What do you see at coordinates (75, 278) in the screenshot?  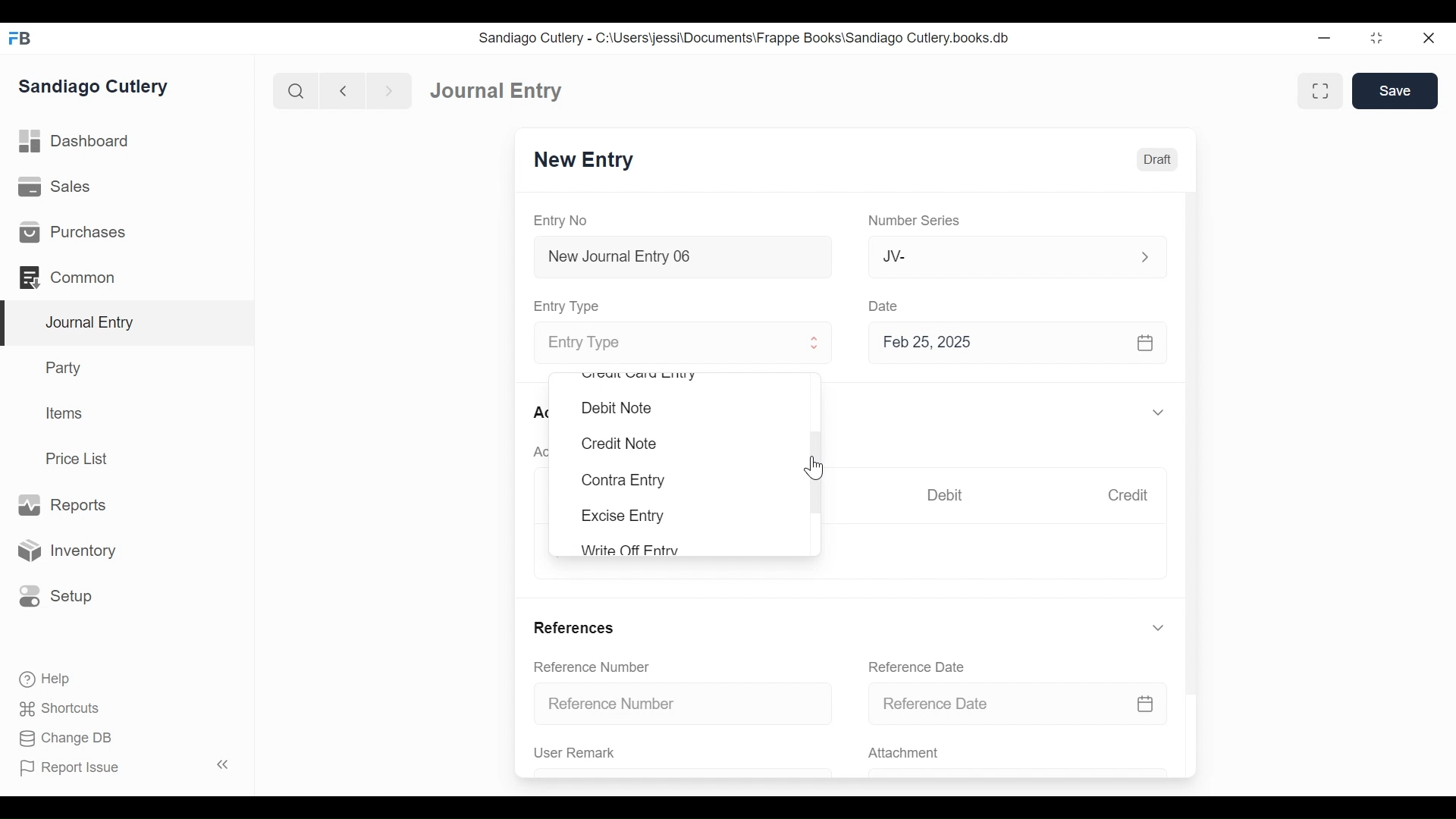 I see `Common` at bounding box center [75, 278].